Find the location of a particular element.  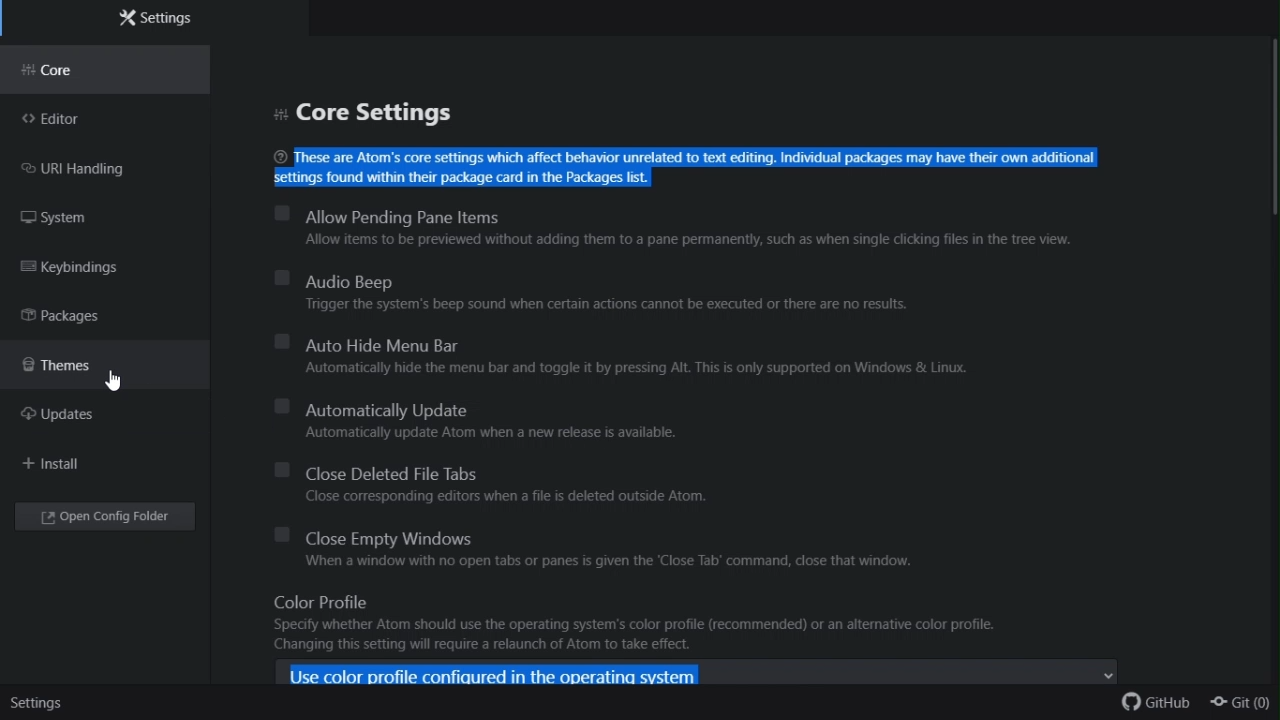

FREE TRIAL EXPIREDsystem is located at coordinates (60, 214).